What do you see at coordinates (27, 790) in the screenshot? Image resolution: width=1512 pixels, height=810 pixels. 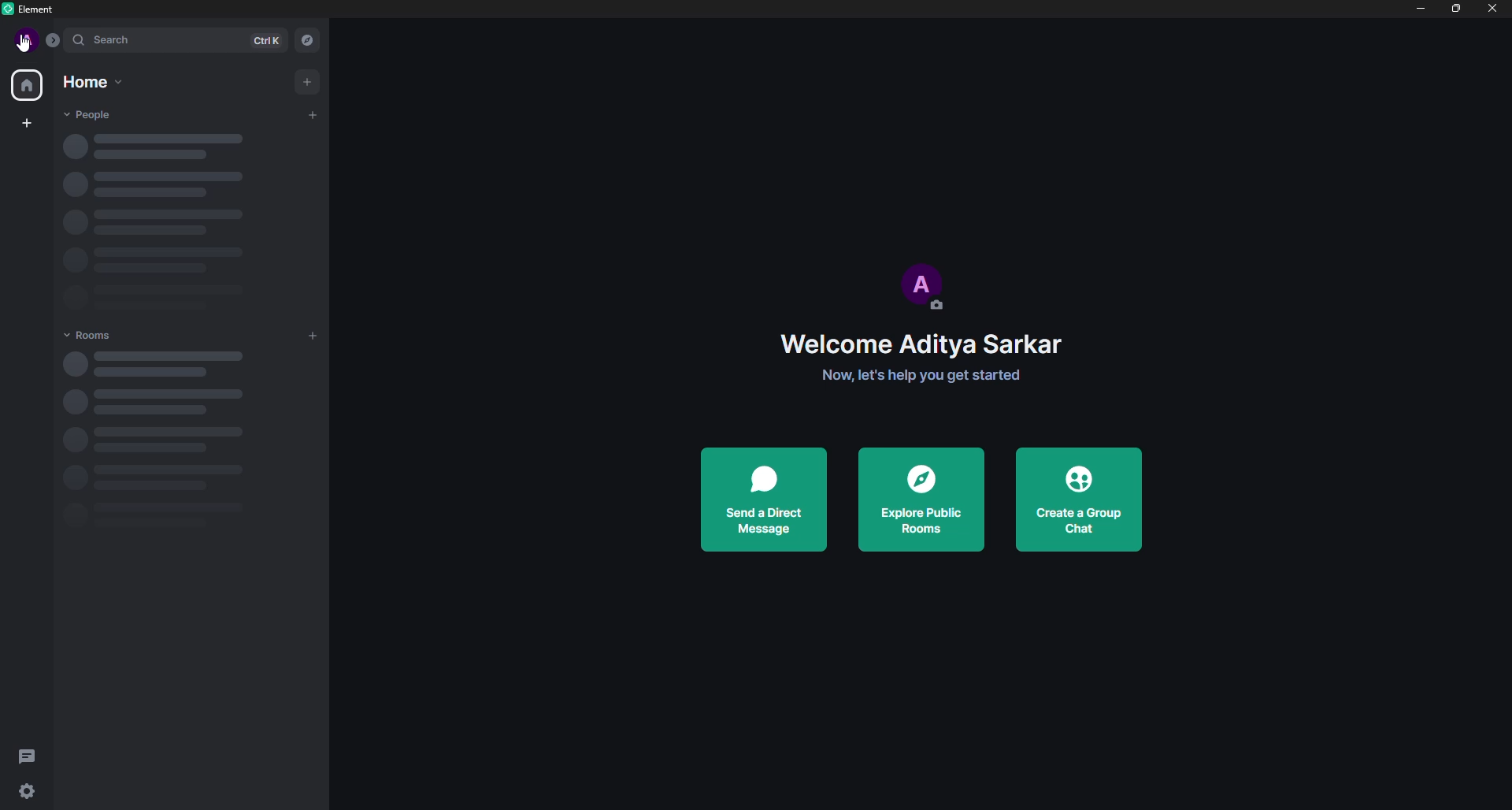 I see `quick settings` at bounding box center [27, 790].